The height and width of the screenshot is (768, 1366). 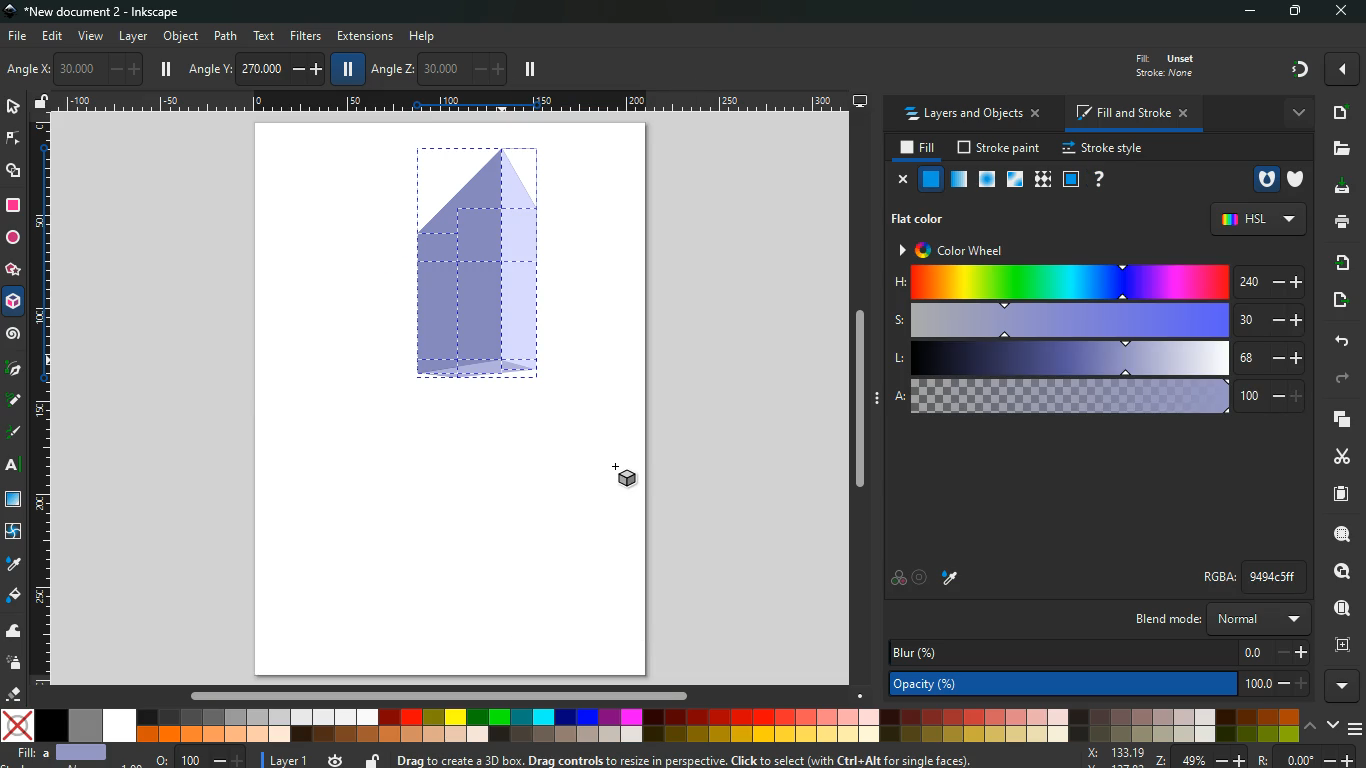 I want to click on opacity, so click(x=959, y=180).